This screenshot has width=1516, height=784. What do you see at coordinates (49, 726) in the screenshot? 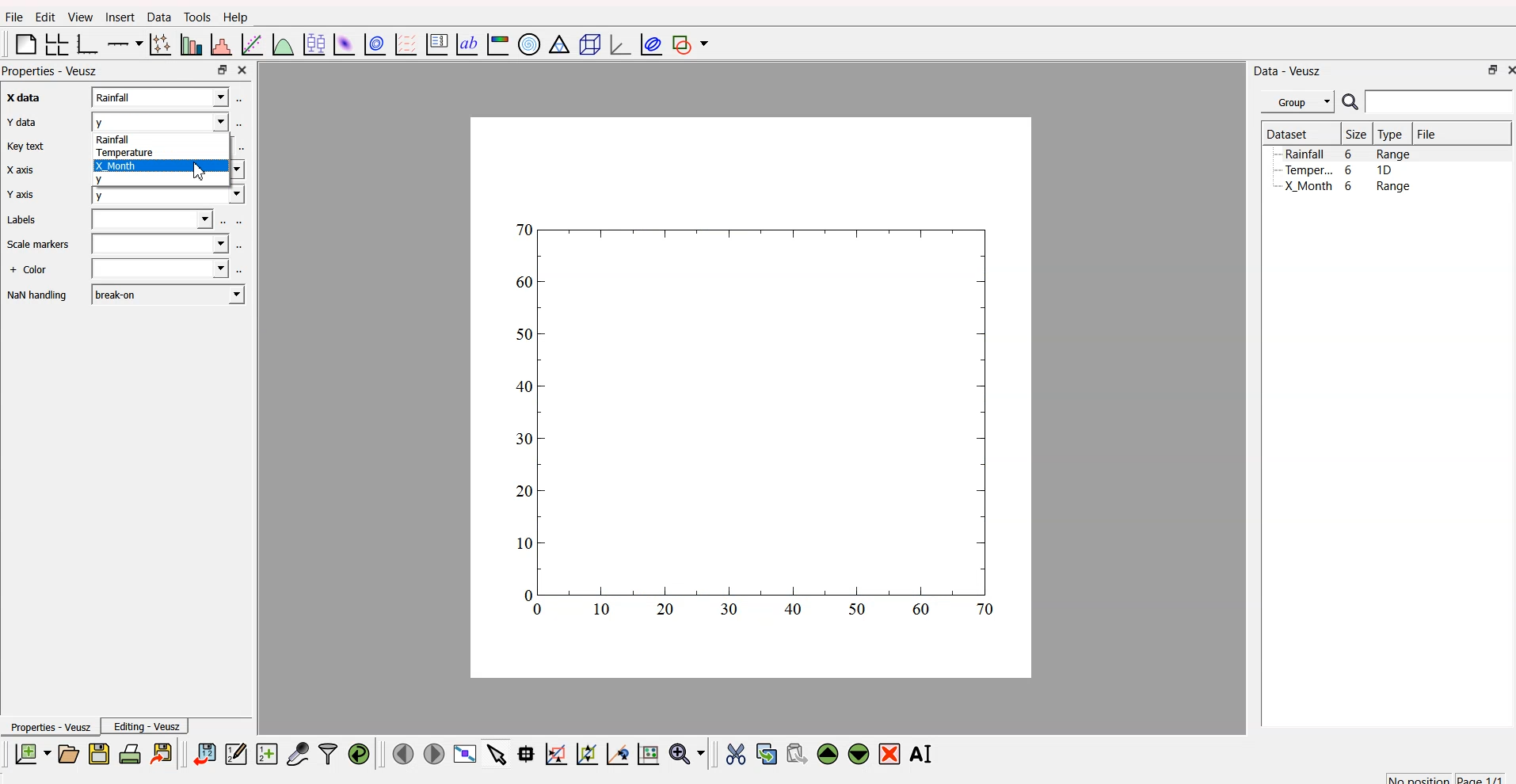
I see `Properties - Veusz` at bounding box center [49, 726].